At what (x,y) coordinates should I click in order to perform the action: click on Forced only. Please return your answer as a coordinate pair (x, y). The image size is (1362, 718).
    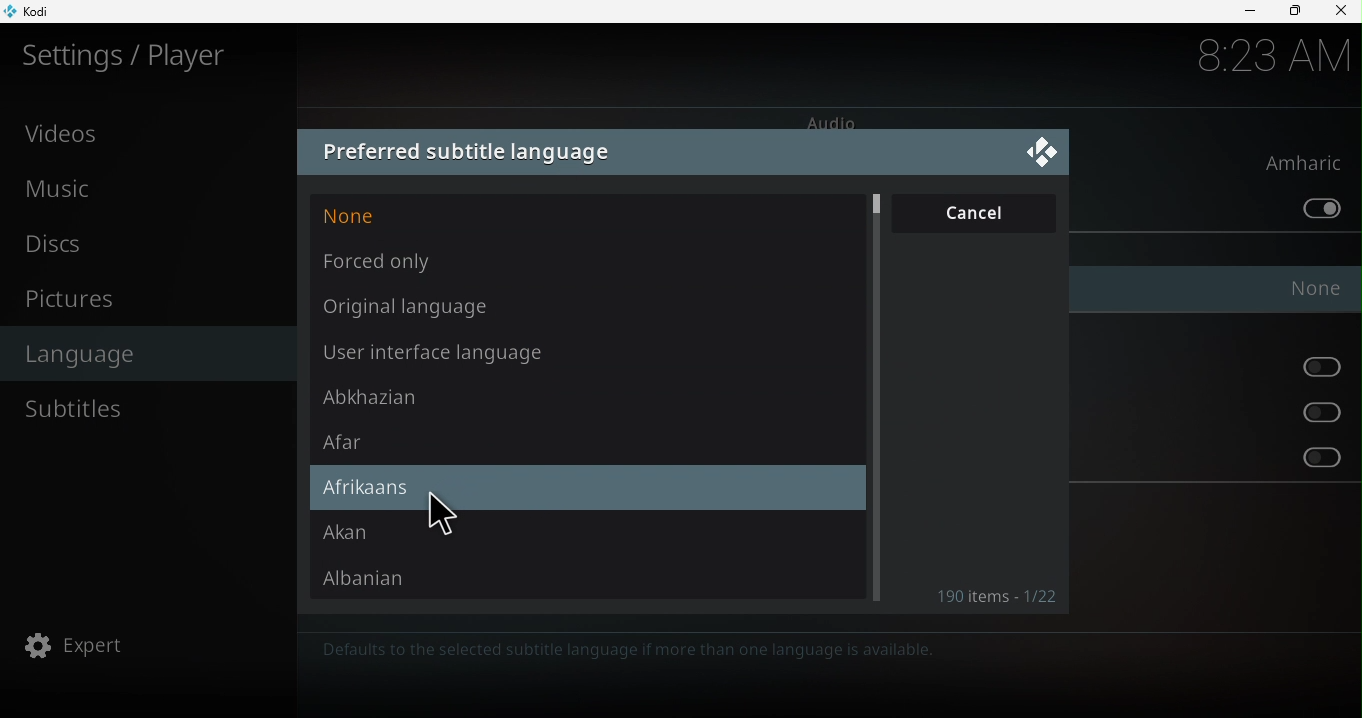
    Looking at the image, I should click on (586, 263).